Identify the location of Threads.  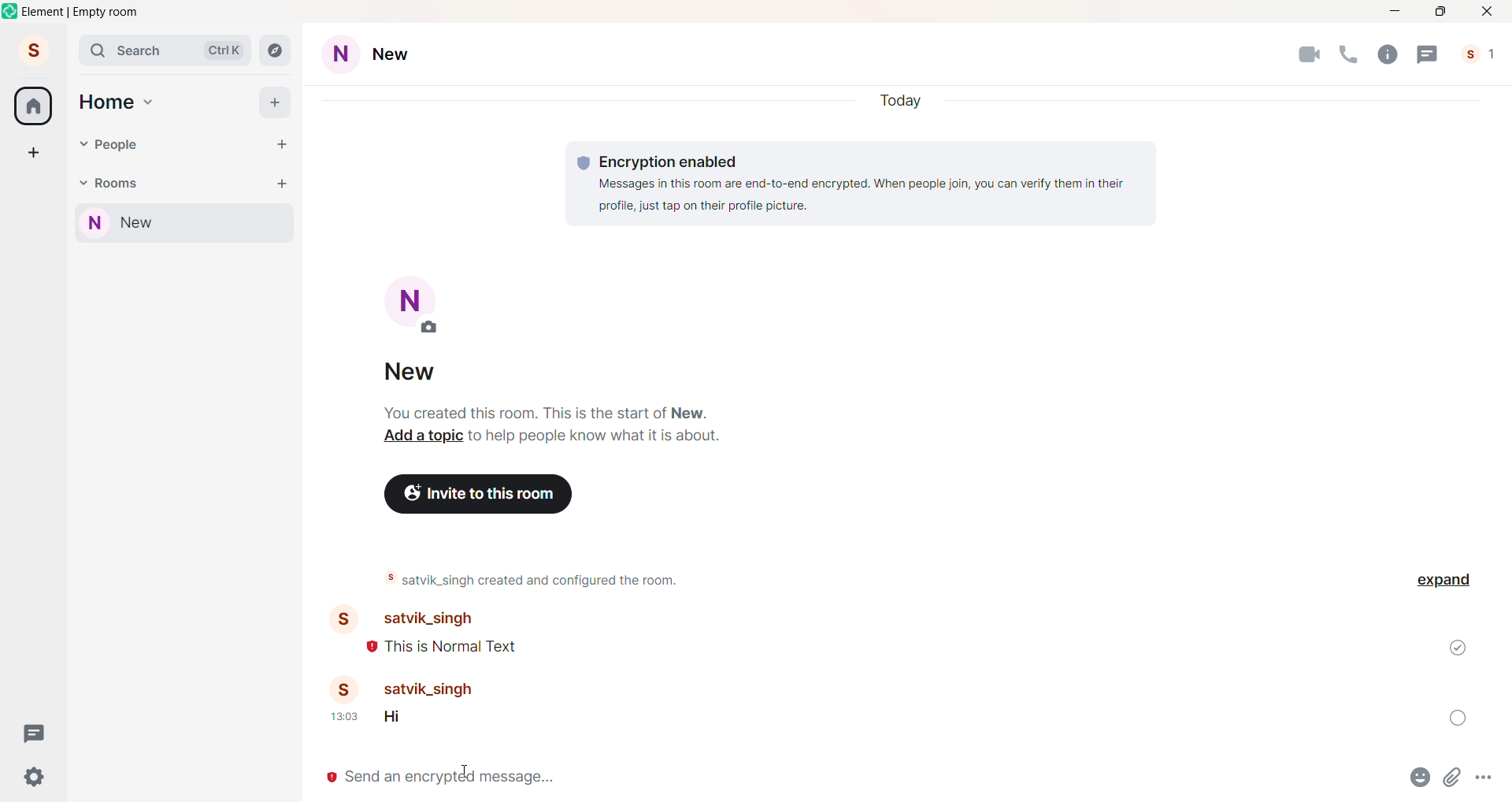
(36, 733).